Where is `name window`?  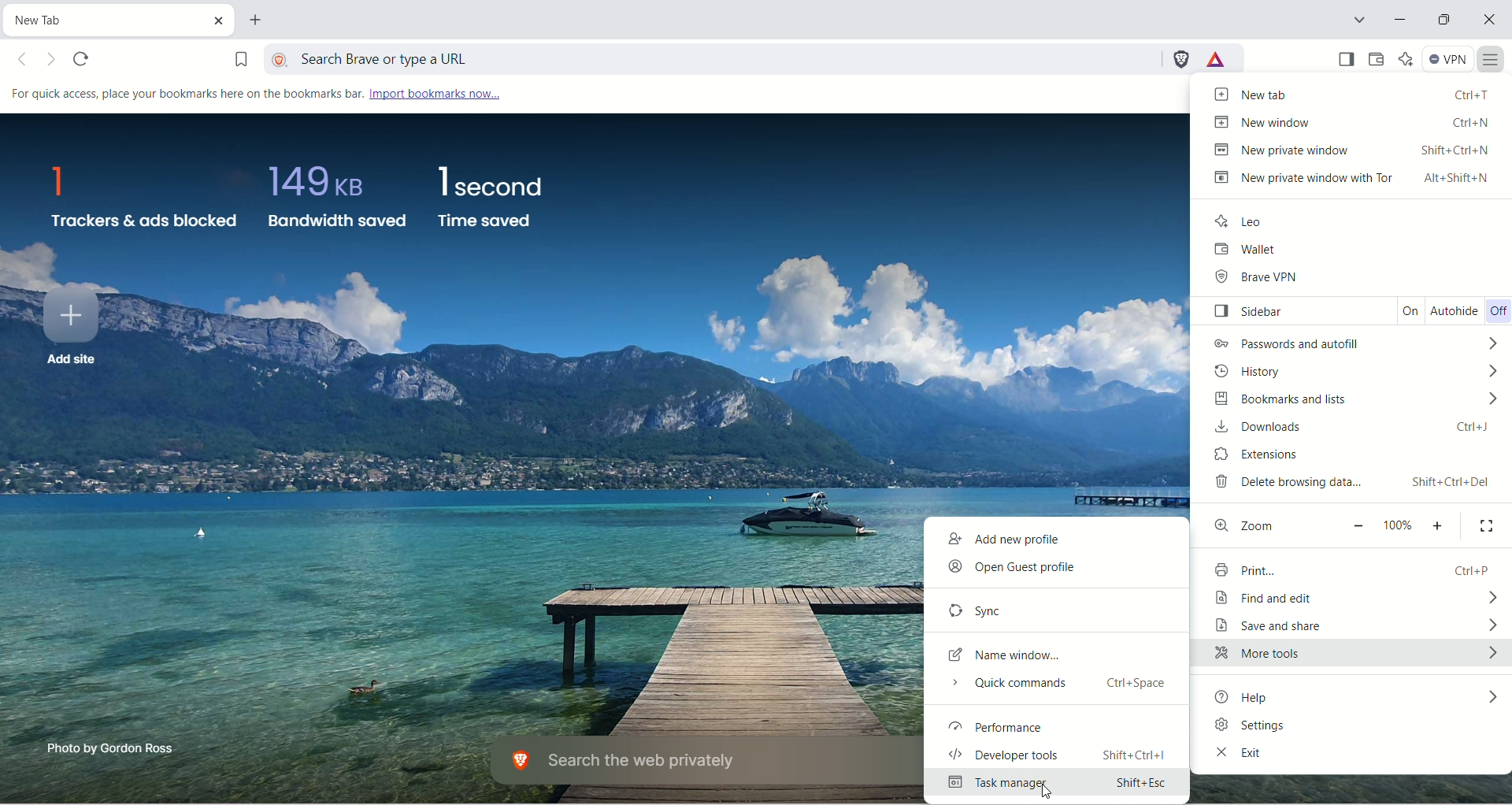 name window is located at coordinates (1050, 655).